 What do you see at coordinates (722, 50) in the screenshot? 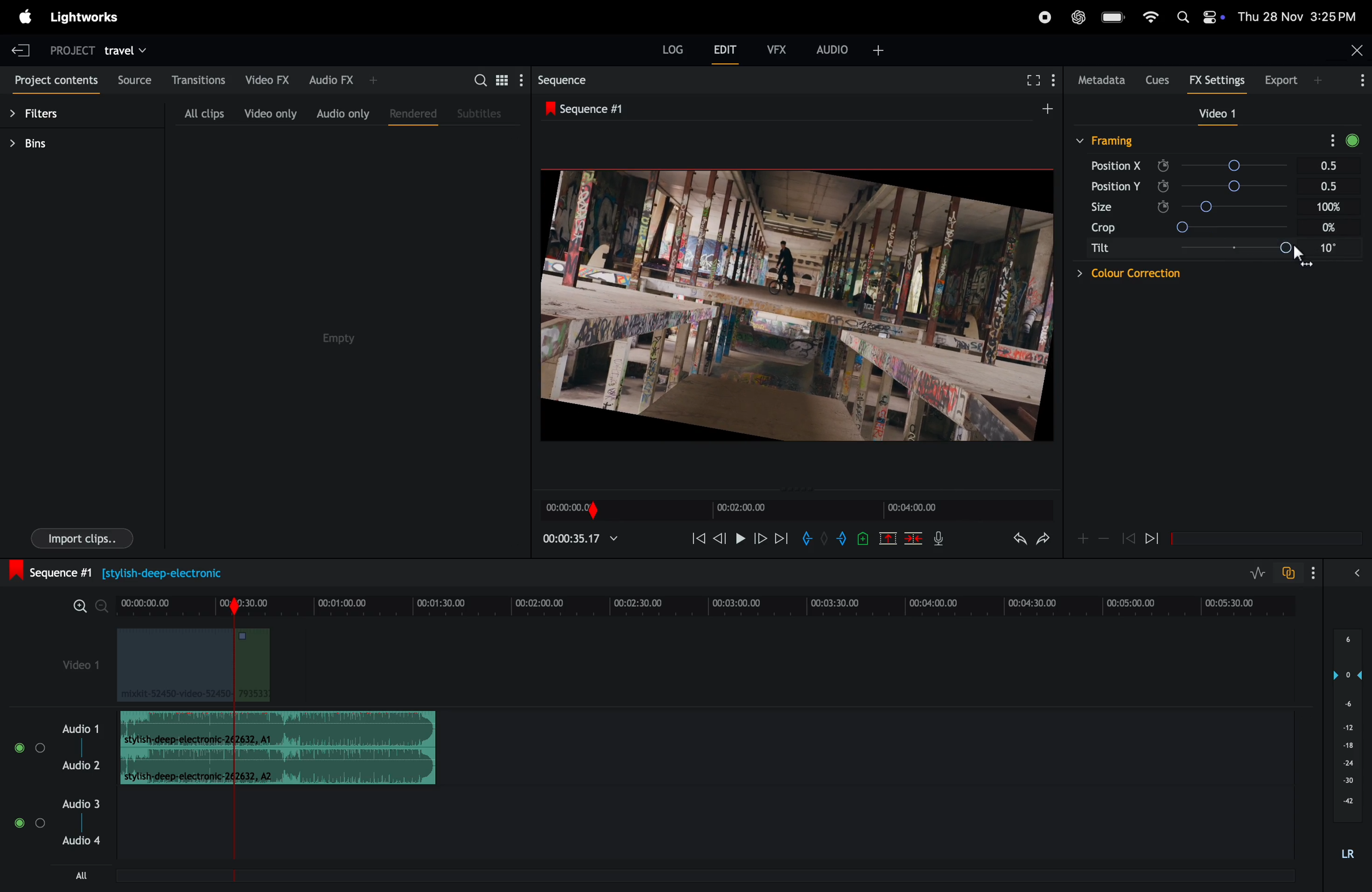
I see `edit` at bounding box center [722, 50].